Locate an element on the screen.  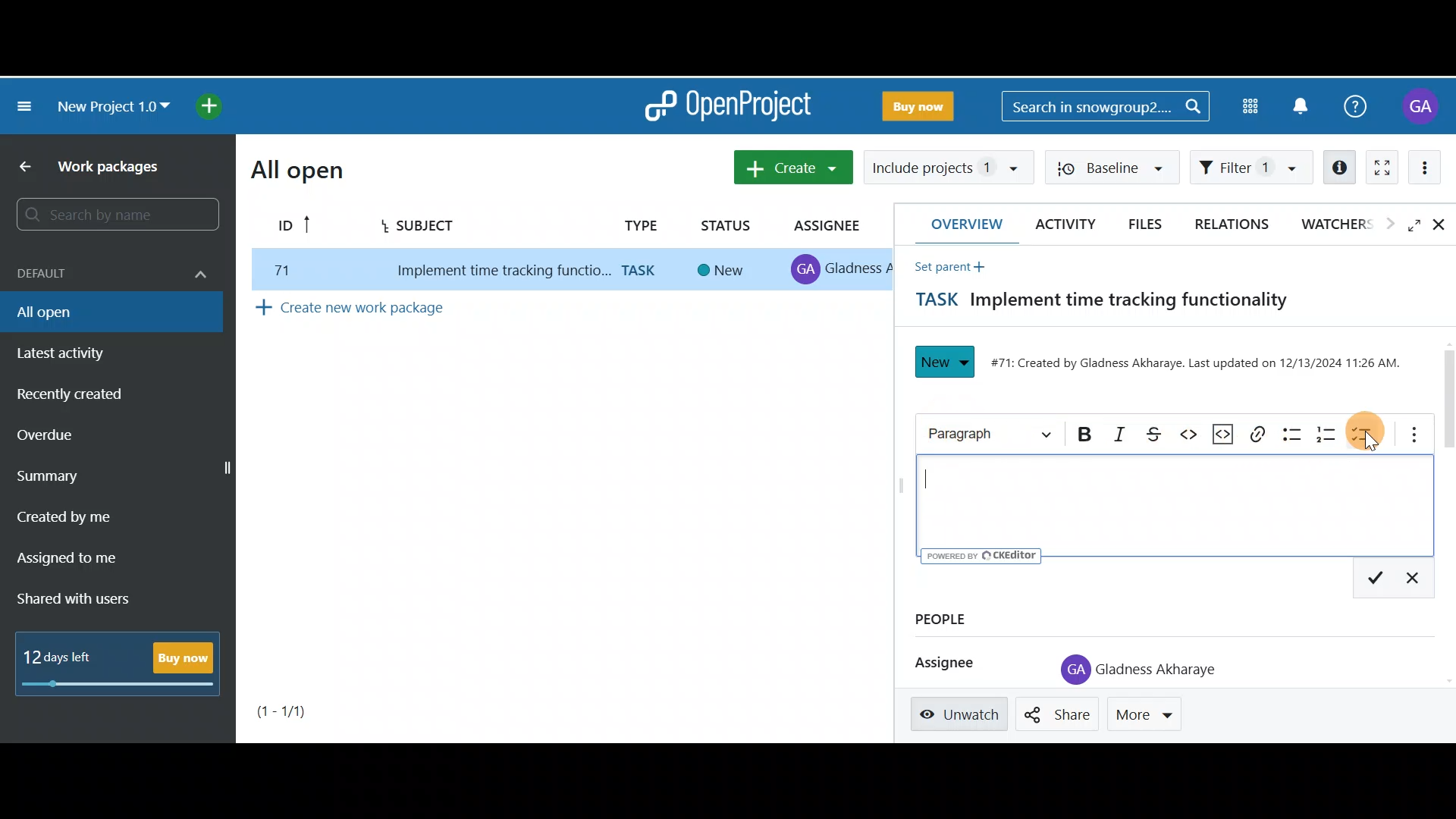
Activity is located at coordinates (1062, 224).